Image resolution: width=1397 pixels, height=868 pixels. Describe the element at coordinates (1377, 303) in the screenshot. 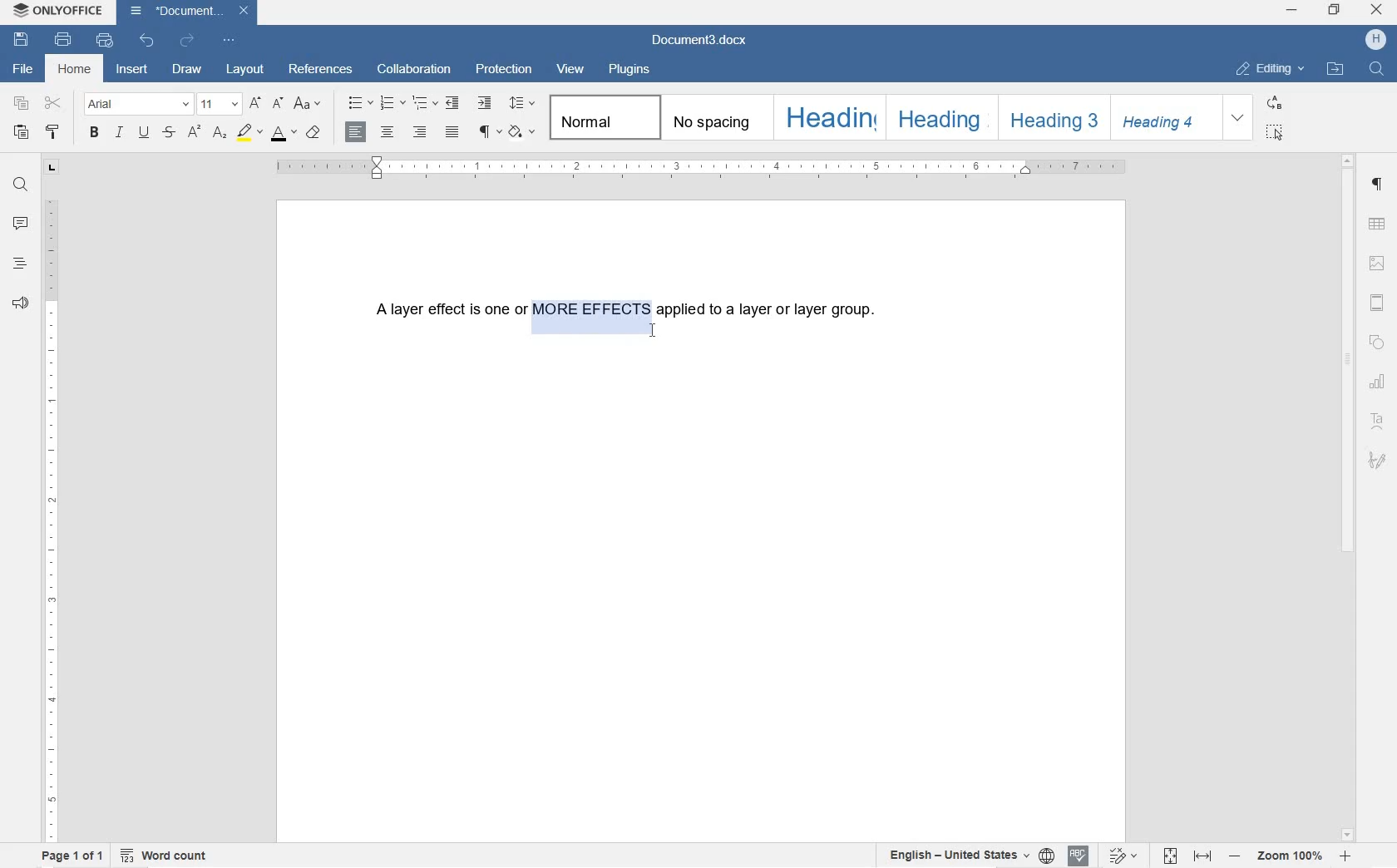

I see `HEADERS & FOOTERS` at that location.